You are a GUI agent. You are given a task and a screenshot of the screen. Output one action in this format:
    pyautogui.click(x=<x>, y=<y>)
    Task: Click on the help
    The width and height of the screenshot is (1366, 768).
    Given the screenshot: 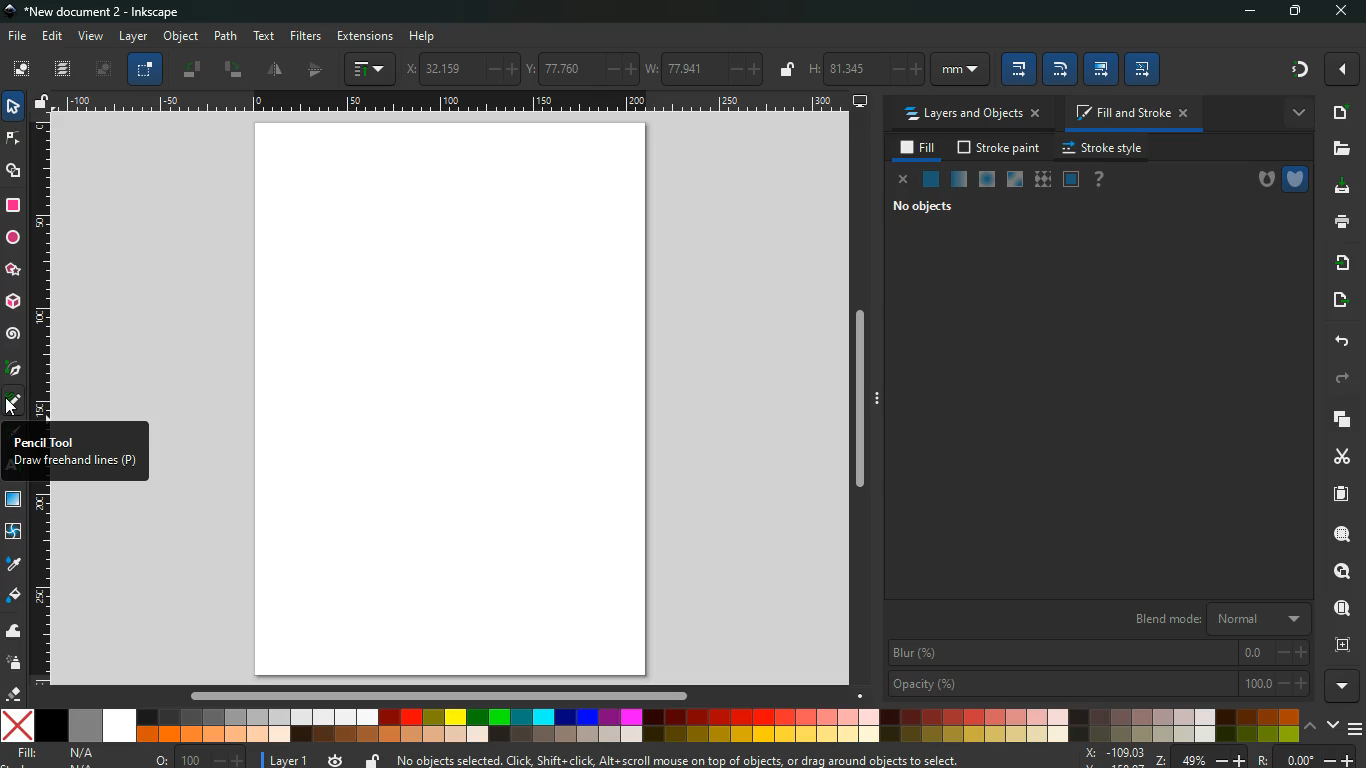 What is the action you would take?
    pyautogui.click(x=423, y=36)
    